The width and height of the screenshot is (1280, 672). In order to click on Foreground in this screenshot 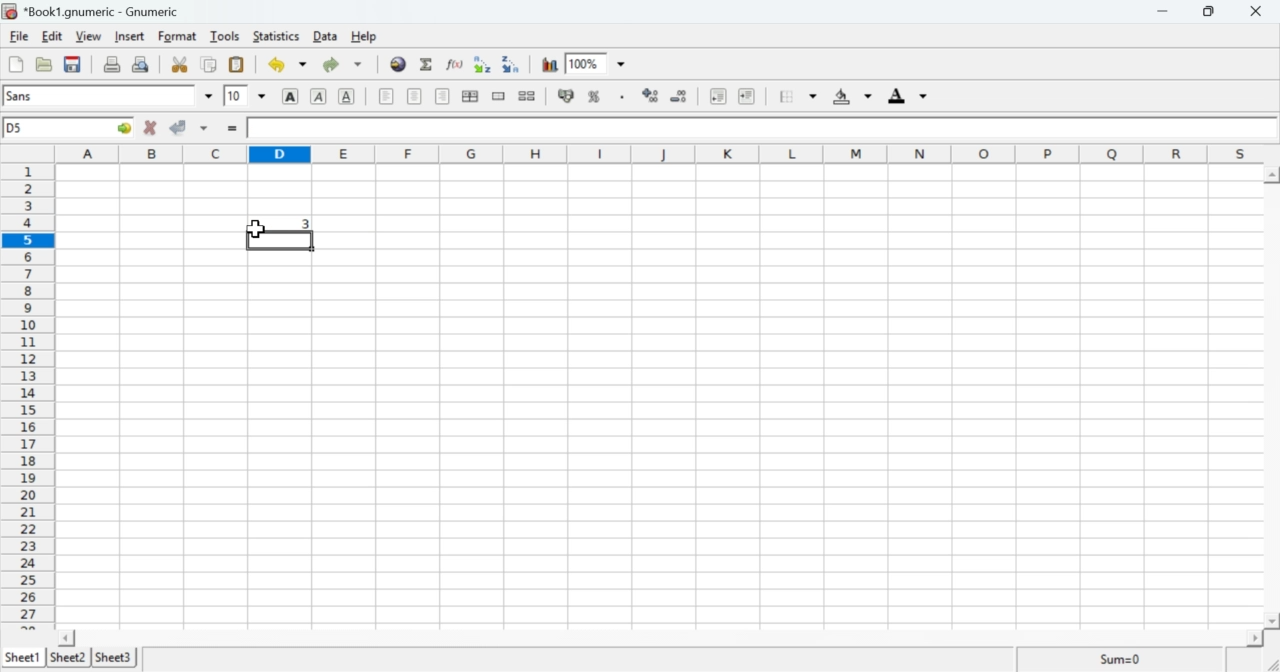, I will do `click(911, 95)`.